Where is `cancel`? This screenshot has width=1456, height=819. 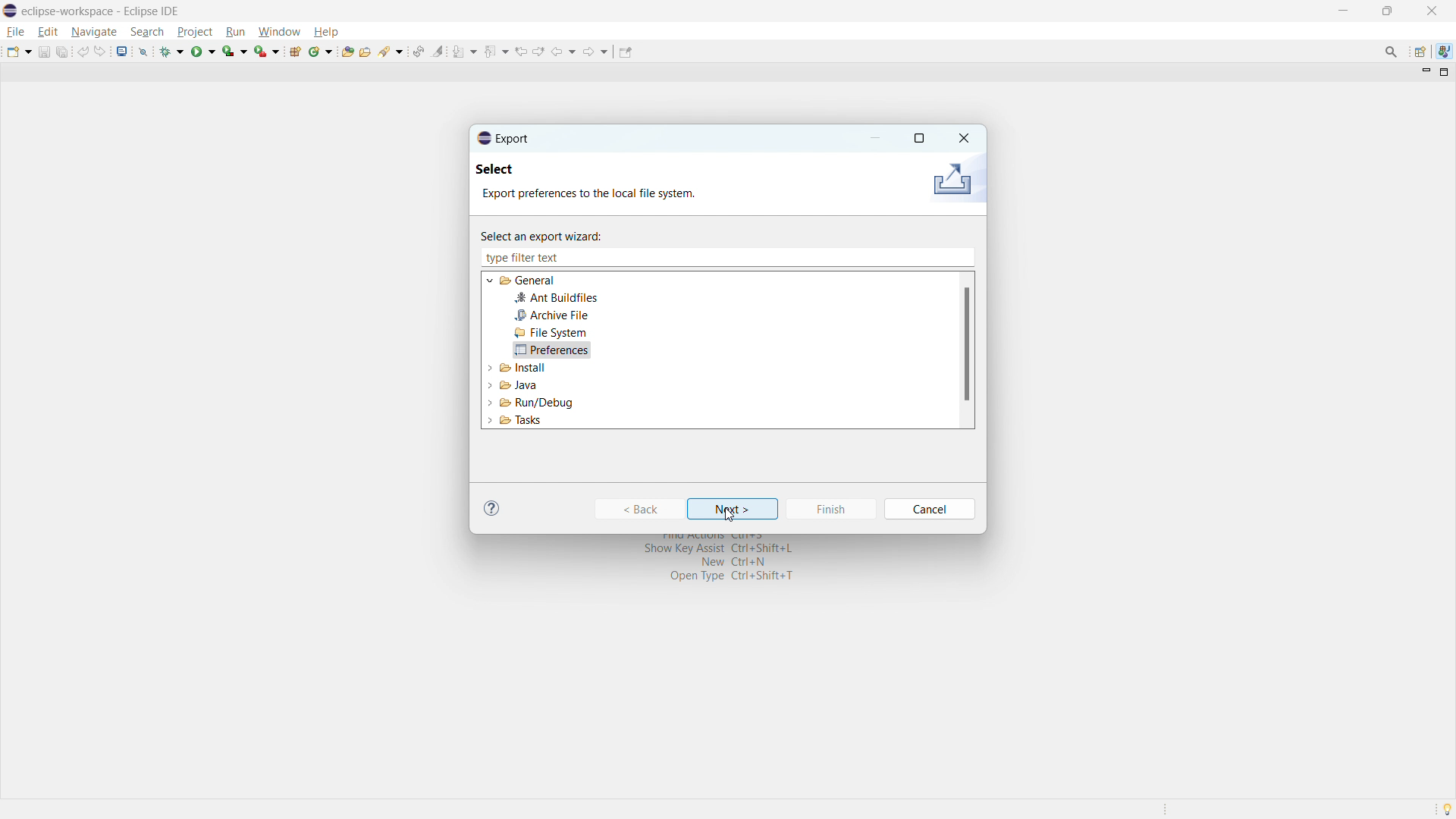 cancel is located at coordinates (931, 509).